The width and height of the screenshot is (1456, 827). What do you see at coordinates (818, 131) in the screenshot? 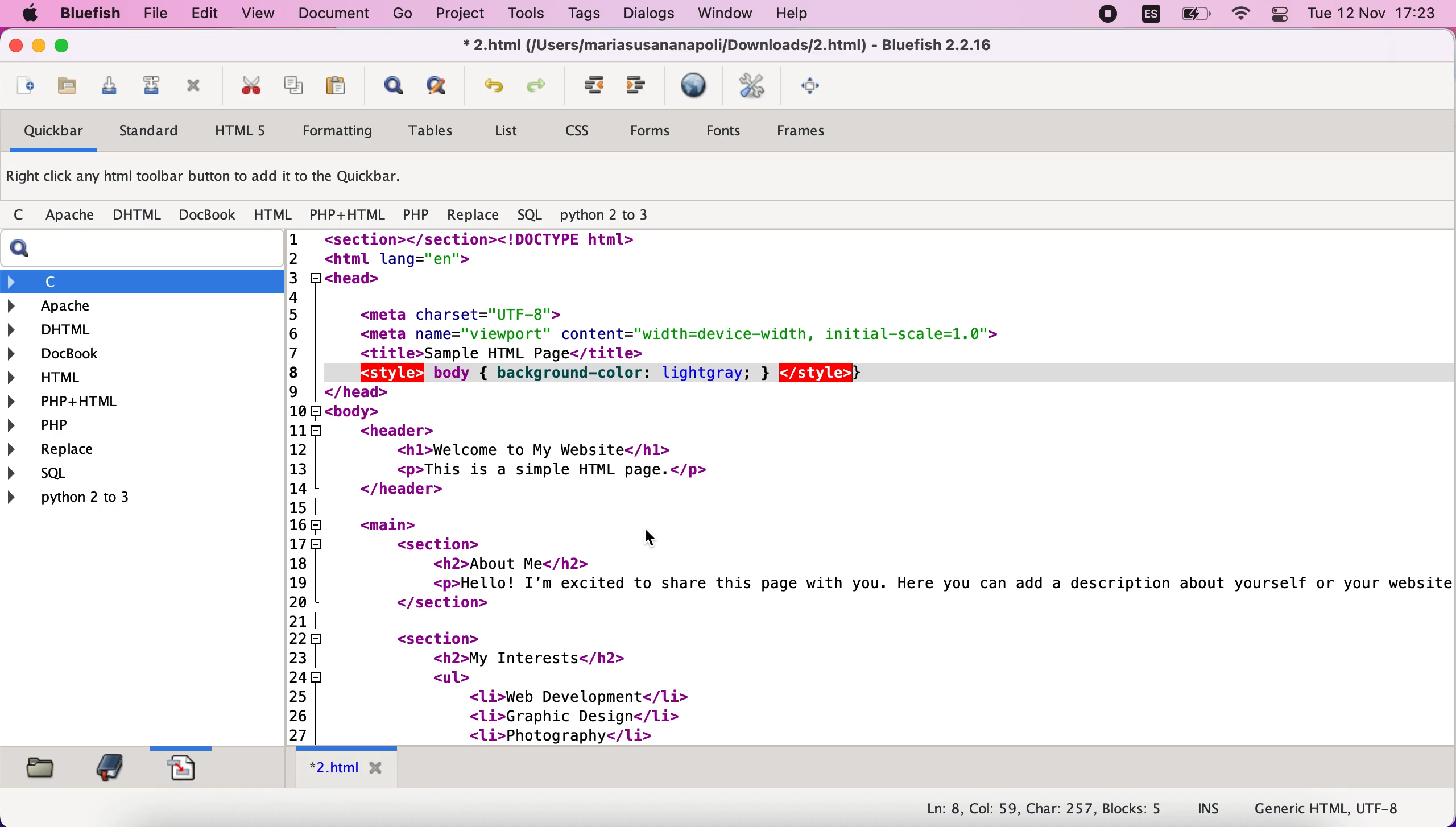
I see `frames` at bounding box center [818, 131].